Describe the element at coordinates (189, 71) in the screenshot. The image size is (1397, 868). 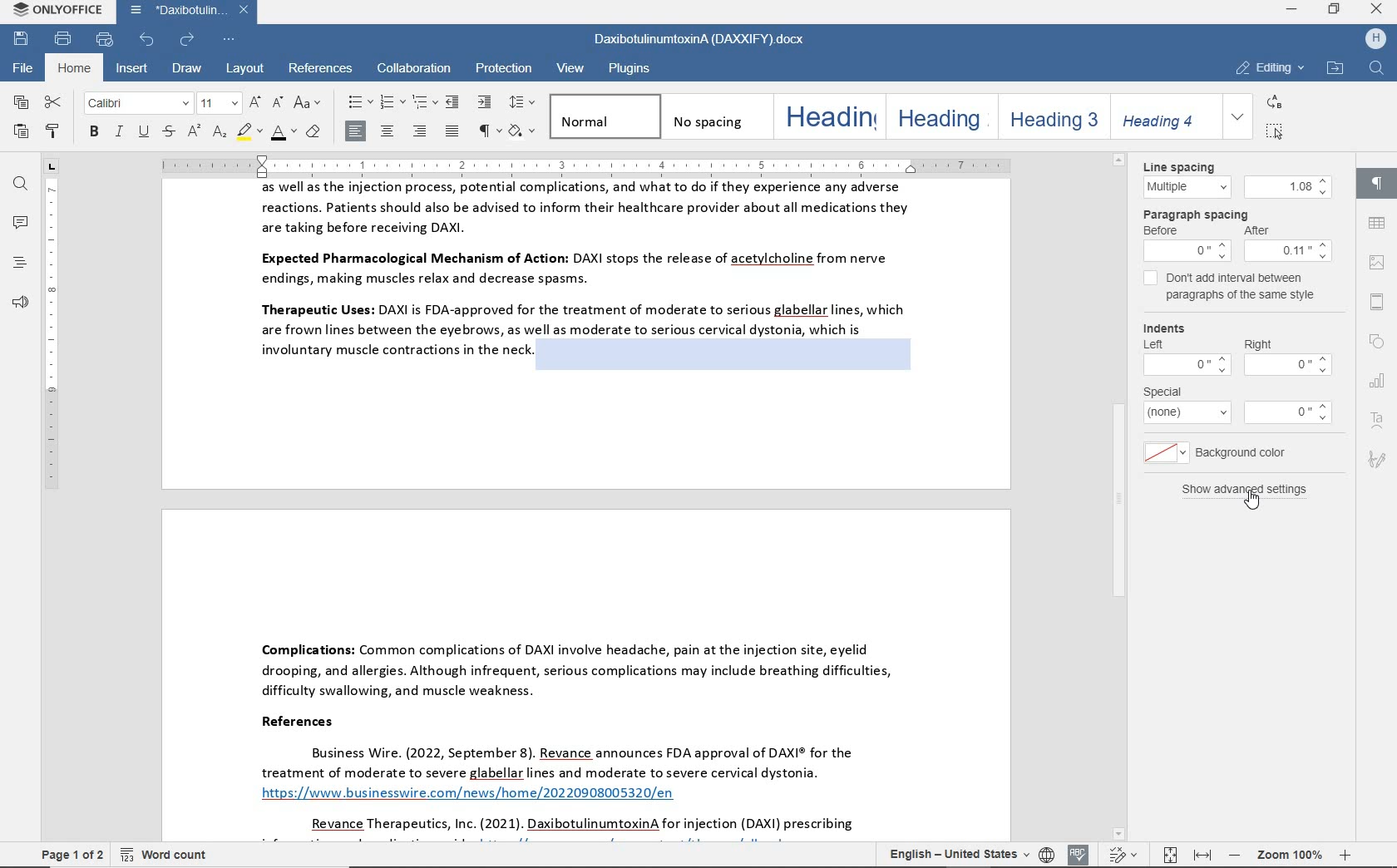
I see `draw` at that location.